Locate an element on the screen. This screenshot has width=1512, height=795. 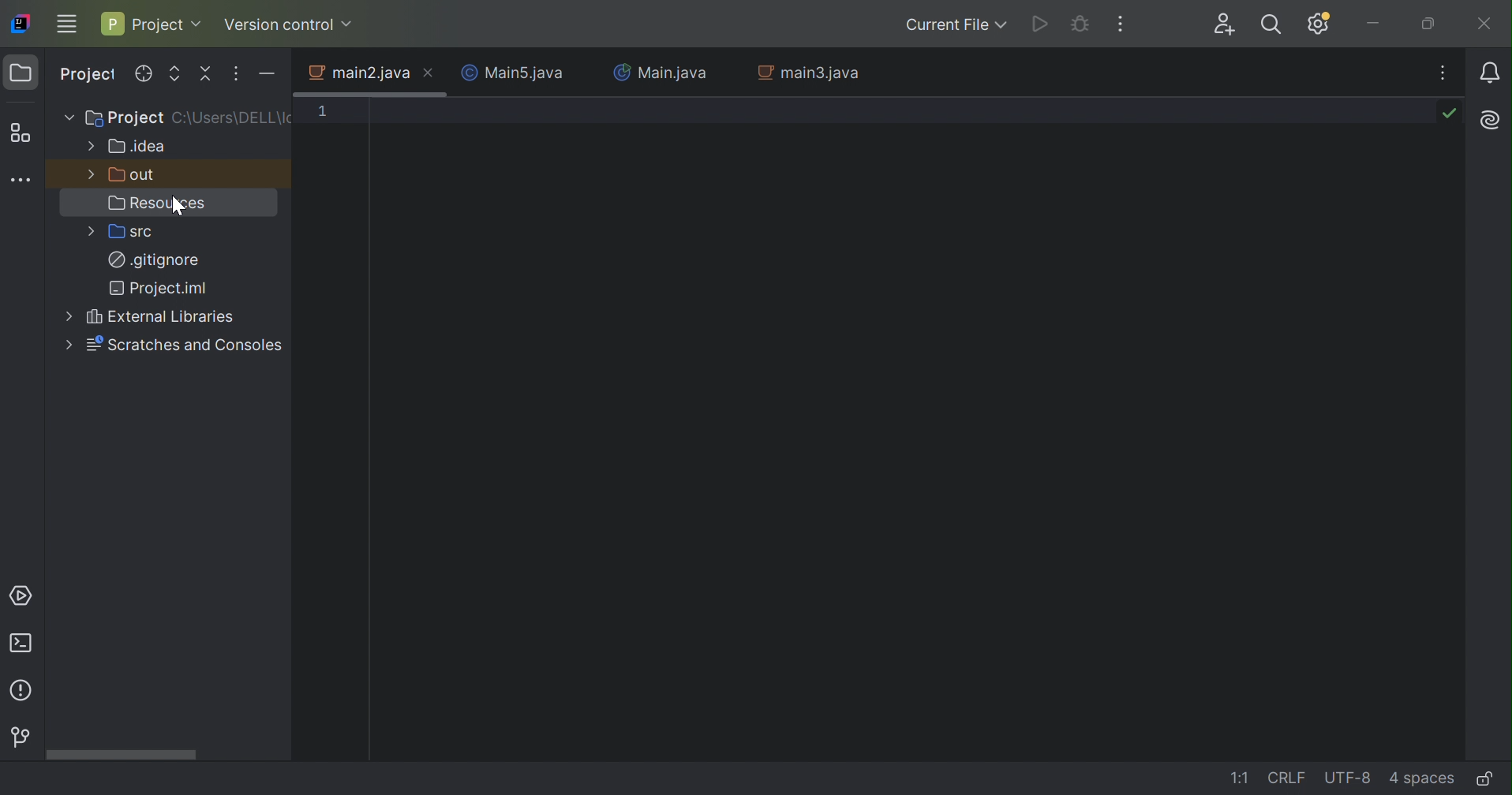
Make file read only is located at coordinates (1488, 778).